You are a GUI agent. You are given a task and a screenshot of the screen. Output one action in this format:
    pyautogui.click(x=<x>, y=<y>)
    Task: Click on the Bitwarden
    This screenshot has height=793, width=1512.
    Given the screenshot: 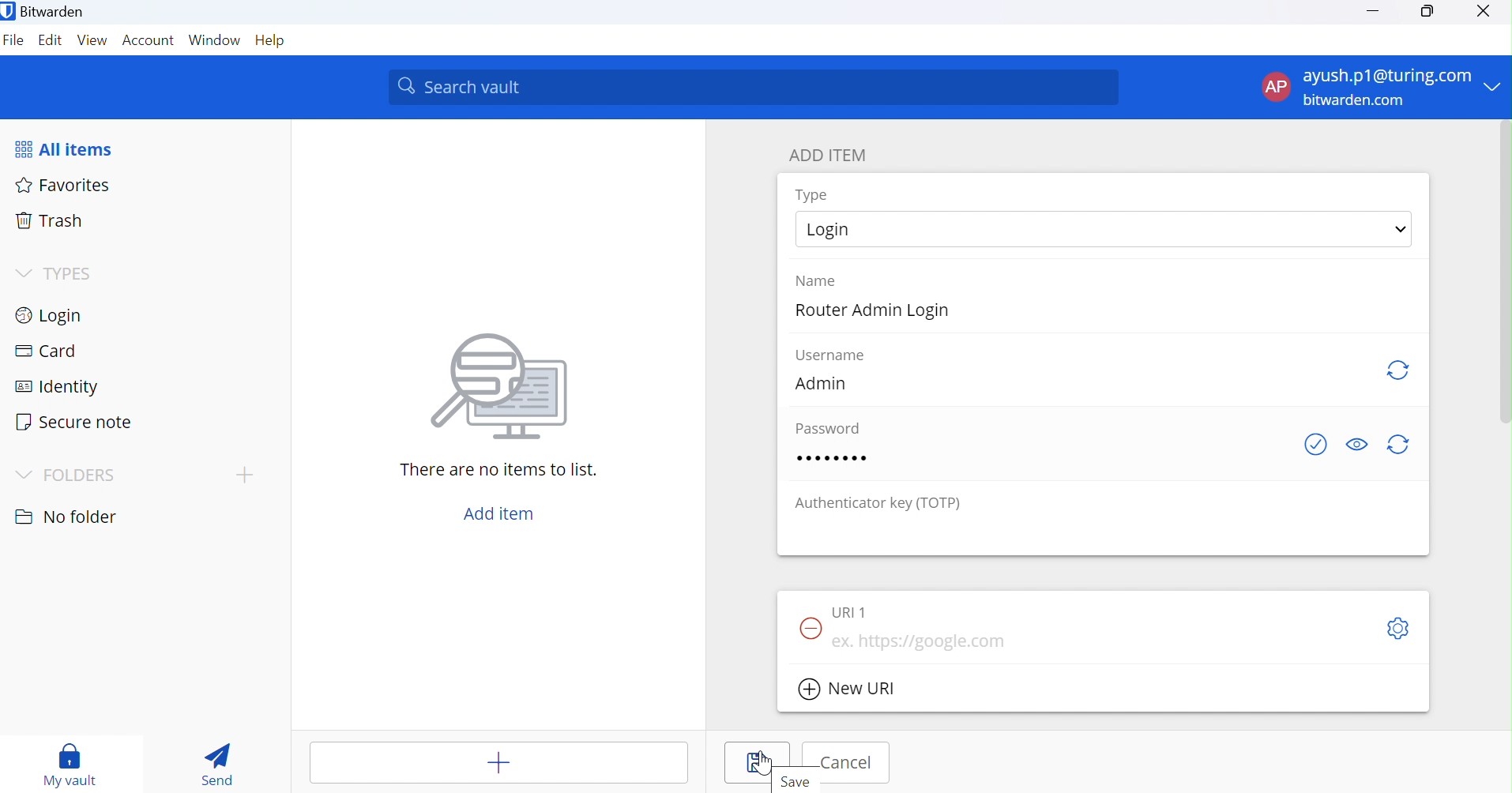 What is the action you would take?
    pyautogui.click(x=45, y=10)
    